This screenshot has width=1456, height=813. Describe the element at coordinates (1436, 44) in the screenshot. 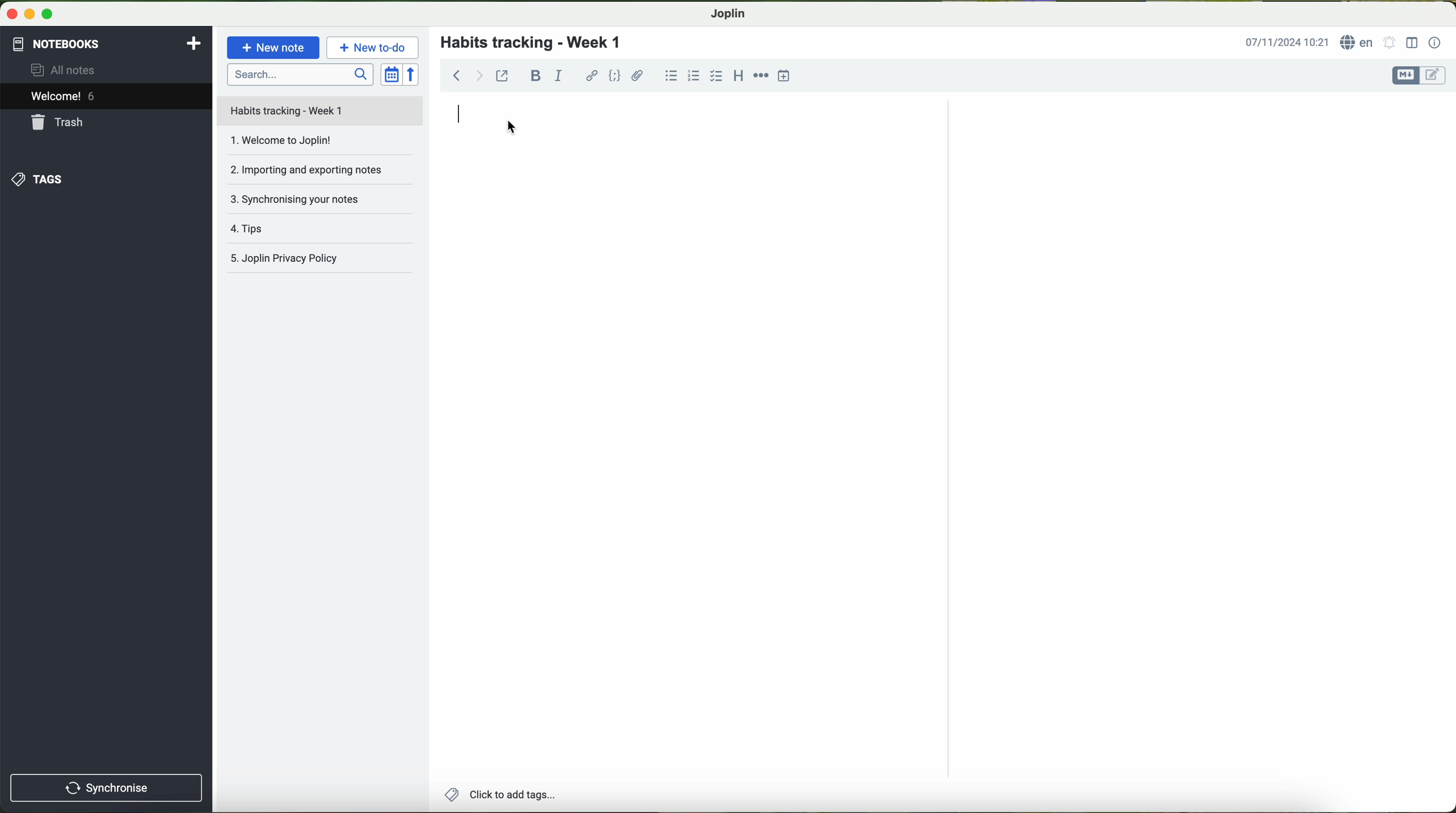

I see `note properties` at that location.